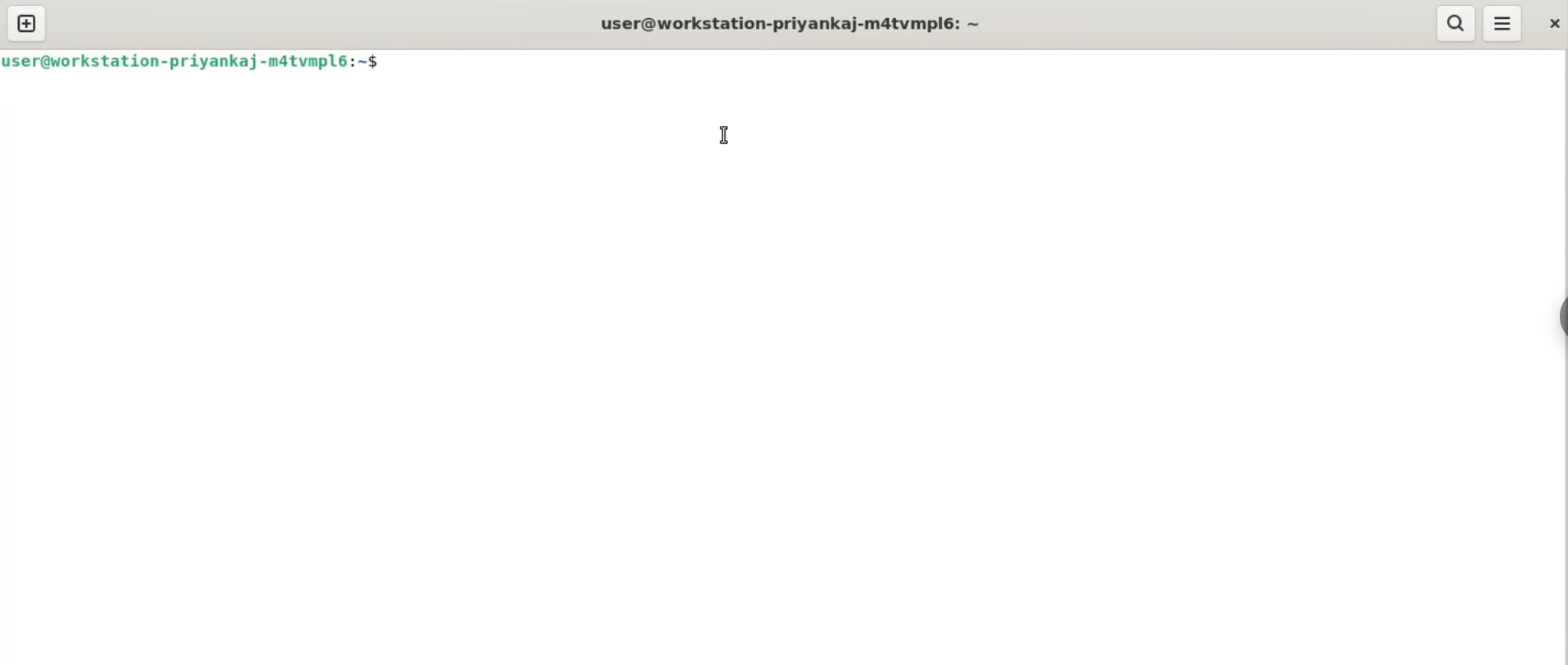 The width and height of the screenshot is (1568, 665). Describe the element at coordinates (1560, 318) in the screenshot. I see `sidebar` at that location.